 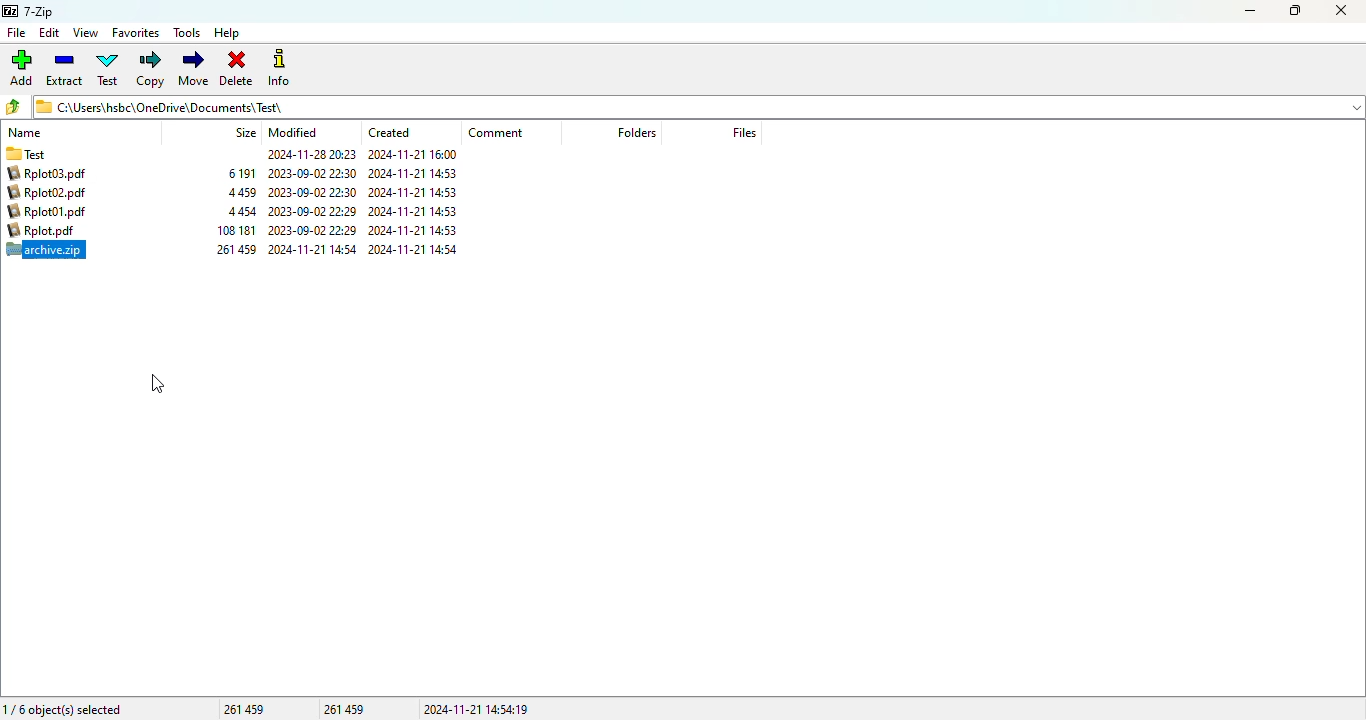 What do you see at coordinates (294, 132) in the screenshot?
I see `modified` at bounding box center [294, 132].